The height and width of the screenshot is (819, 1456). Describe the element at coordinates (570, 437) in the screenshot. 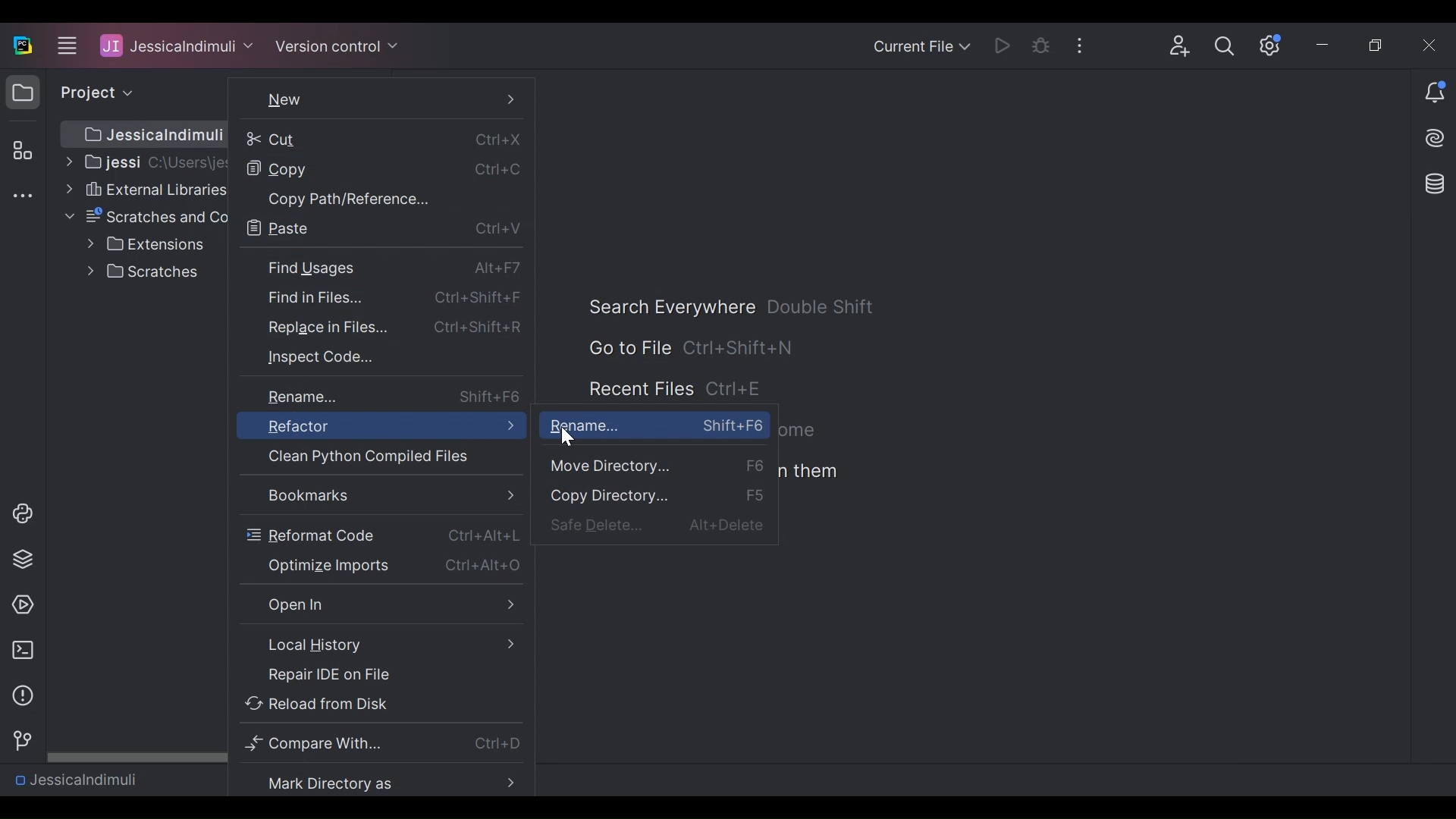

I see `Cursor` at that location.